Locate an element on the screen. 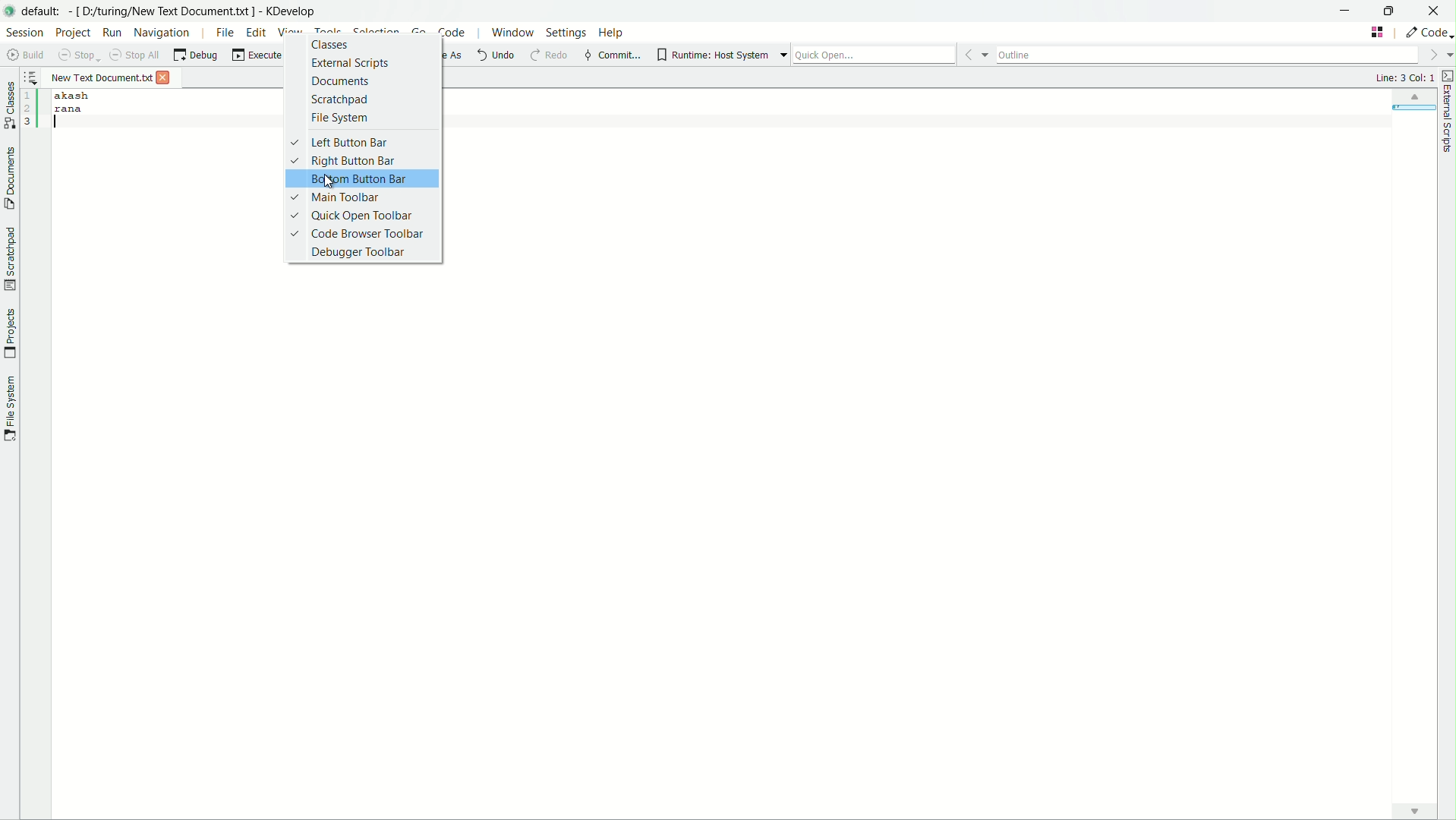 Image resolution: width=1456 pixels, height=820 pixels. default: - [ D:/turing/New Text Document.txt ] - KDevelop is located at coordinates (176, 9).